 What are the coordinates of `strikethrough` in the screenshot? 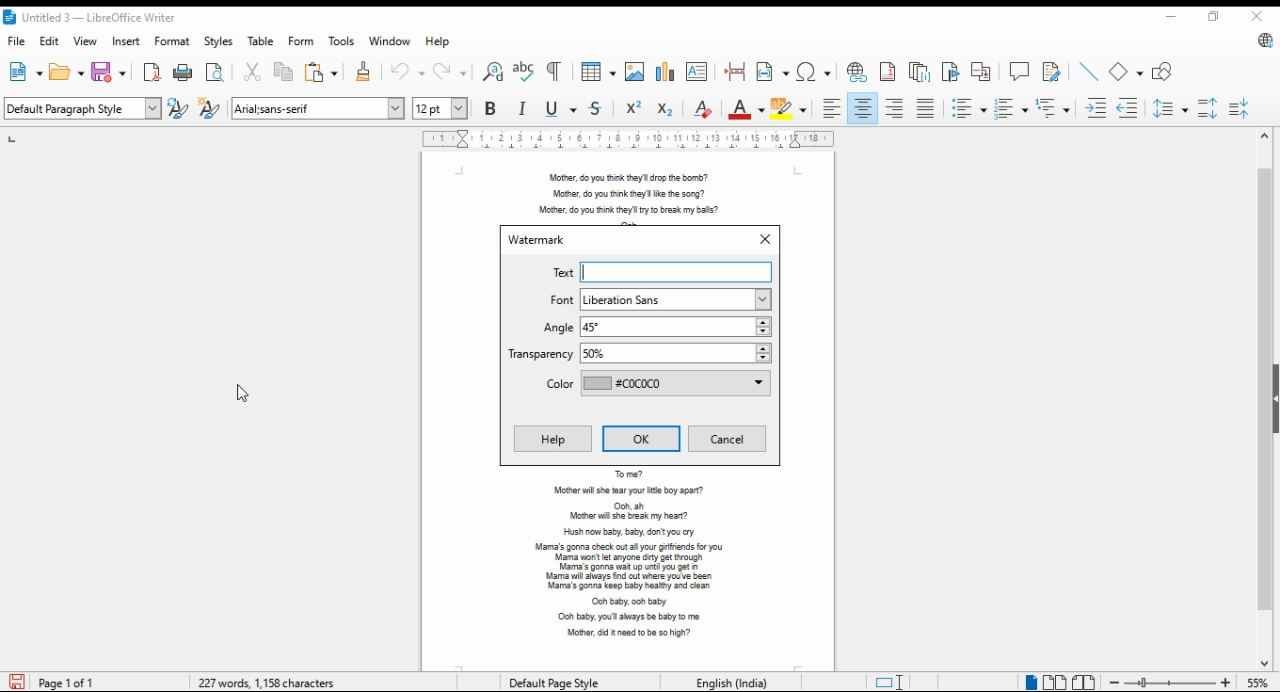 It's located at (596, 107).